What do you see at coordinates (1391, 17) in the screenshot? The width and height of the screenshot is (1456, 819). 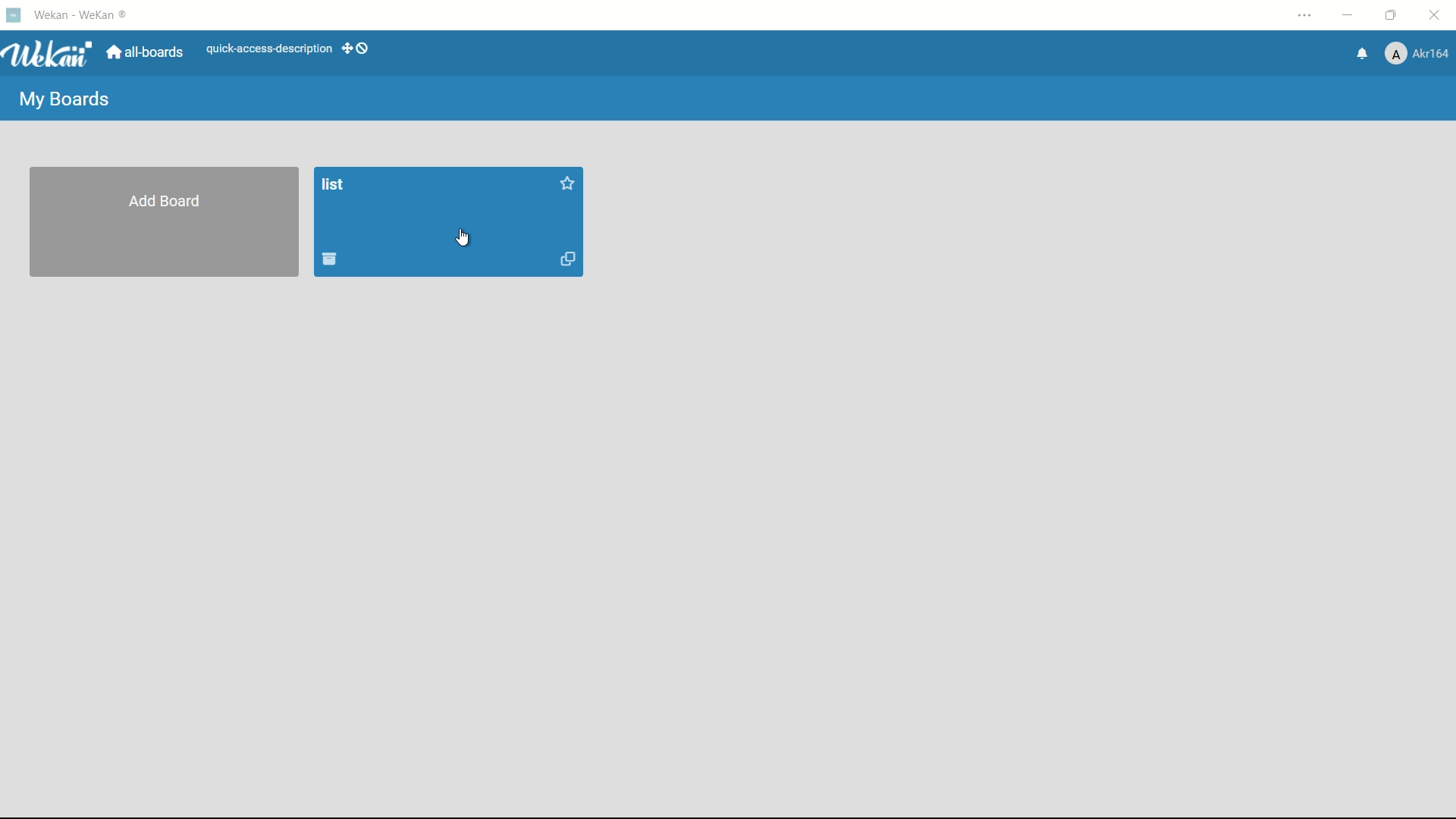 I see `maximize` at bounding box center [1391, 17].